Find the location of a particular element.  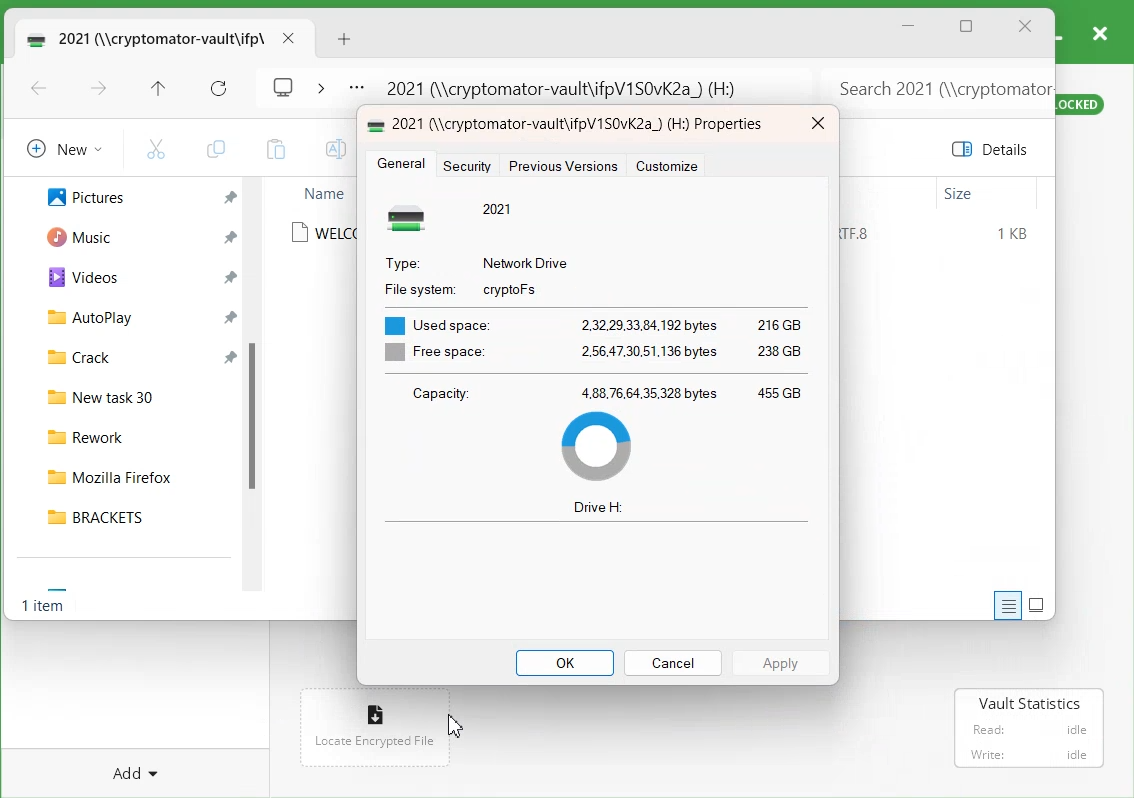

list view is located at coordinates (1004, 606).